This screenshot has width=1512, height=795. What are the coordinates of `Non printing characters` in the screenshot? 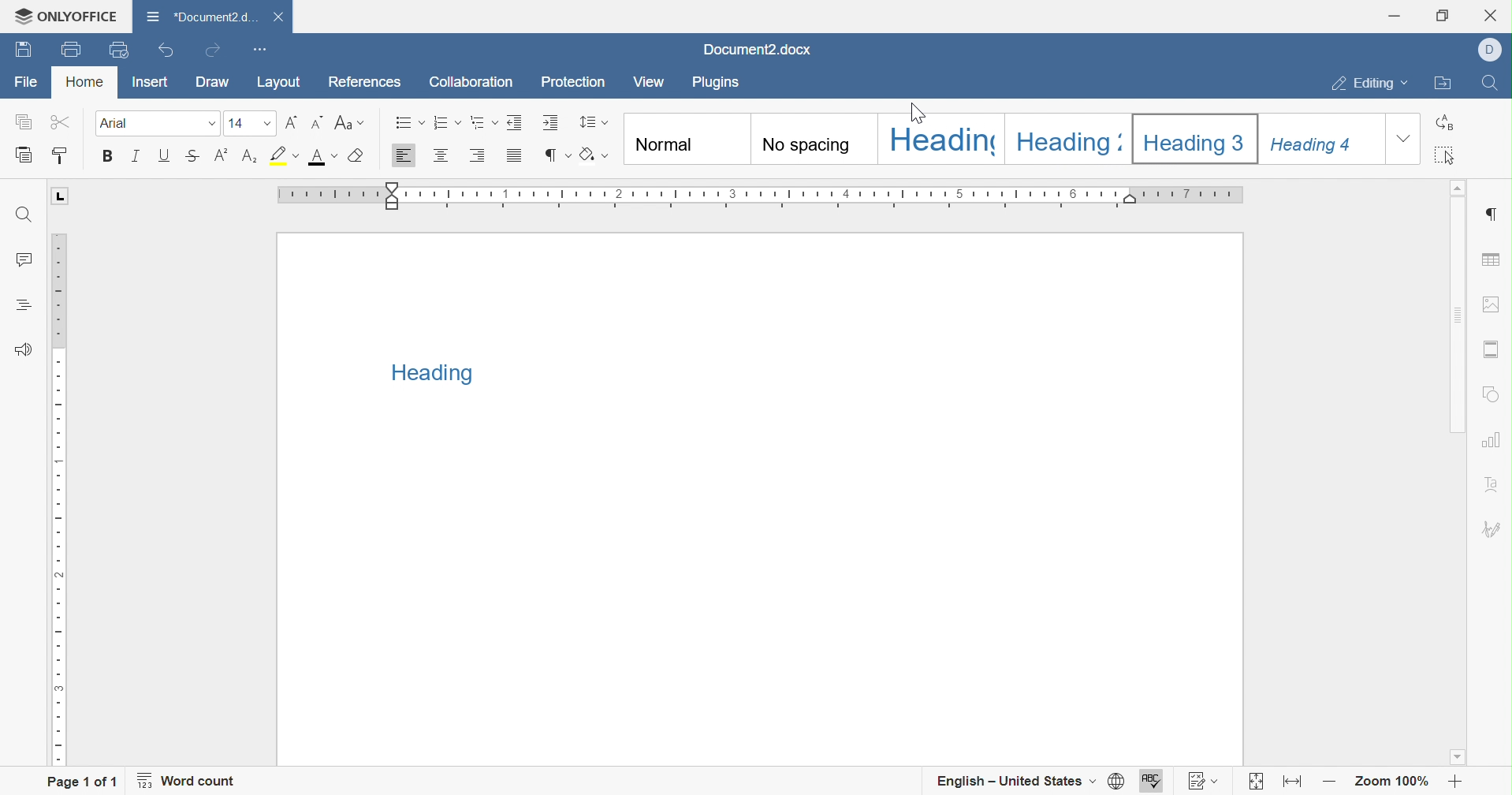 It's located at (559, 155).